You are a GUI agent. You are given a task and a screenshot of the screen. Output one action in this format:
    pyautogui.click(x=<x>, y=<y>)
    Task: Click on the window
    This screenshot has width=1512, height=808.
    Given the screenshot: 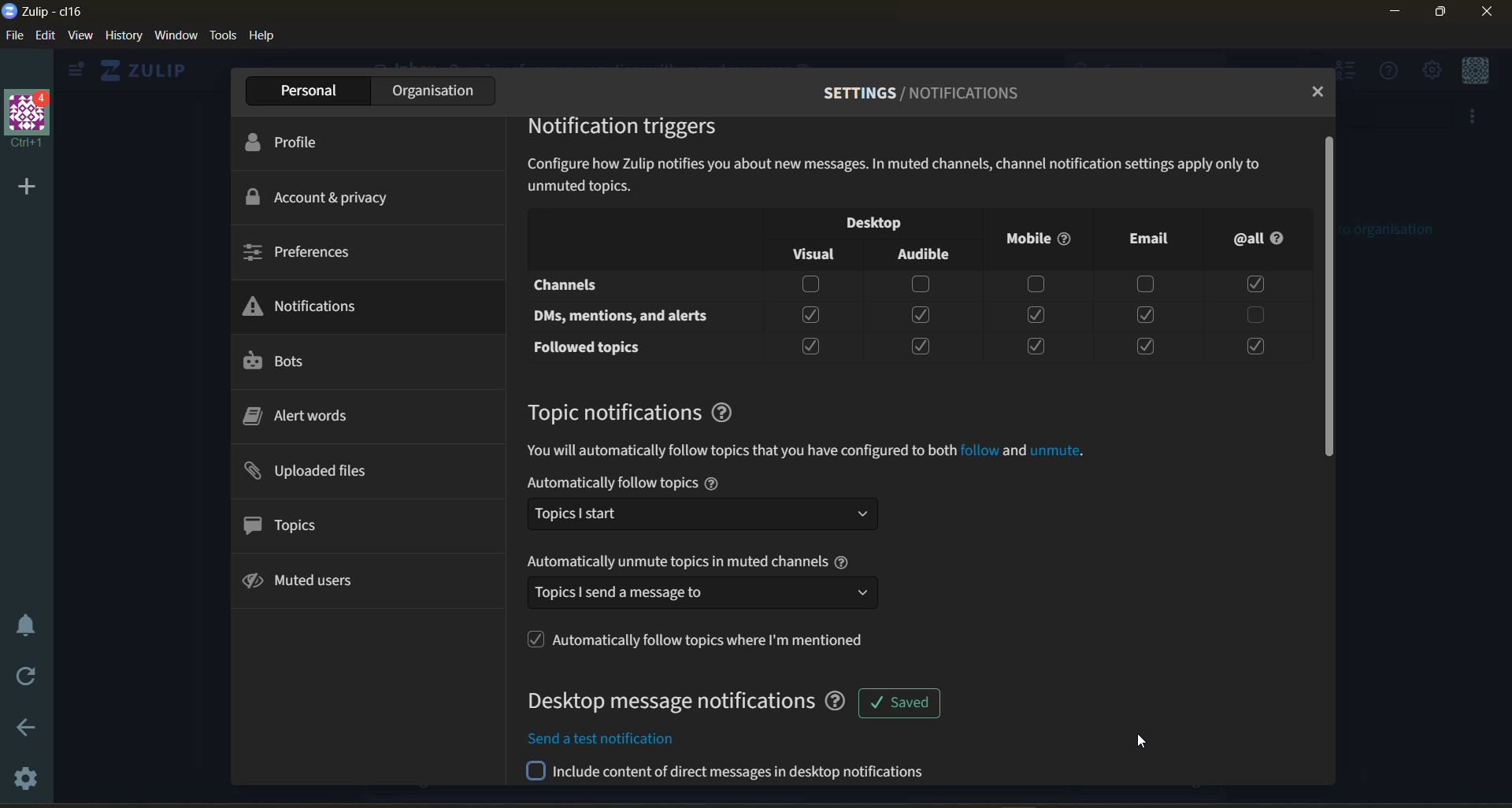 What is the action you would take?
    pyautogui.click(x=180, y=36)
    